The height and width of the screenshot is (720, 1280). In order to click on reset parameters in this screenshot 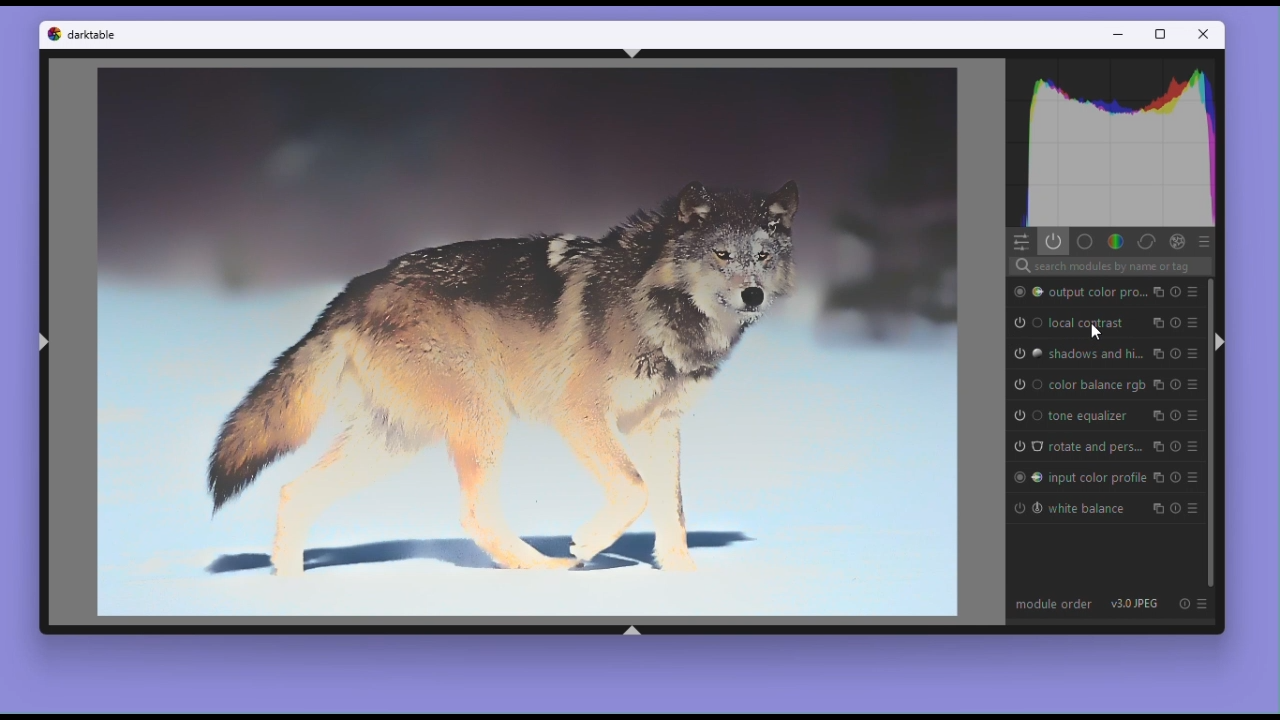, I will do `click(1177, 450)`.